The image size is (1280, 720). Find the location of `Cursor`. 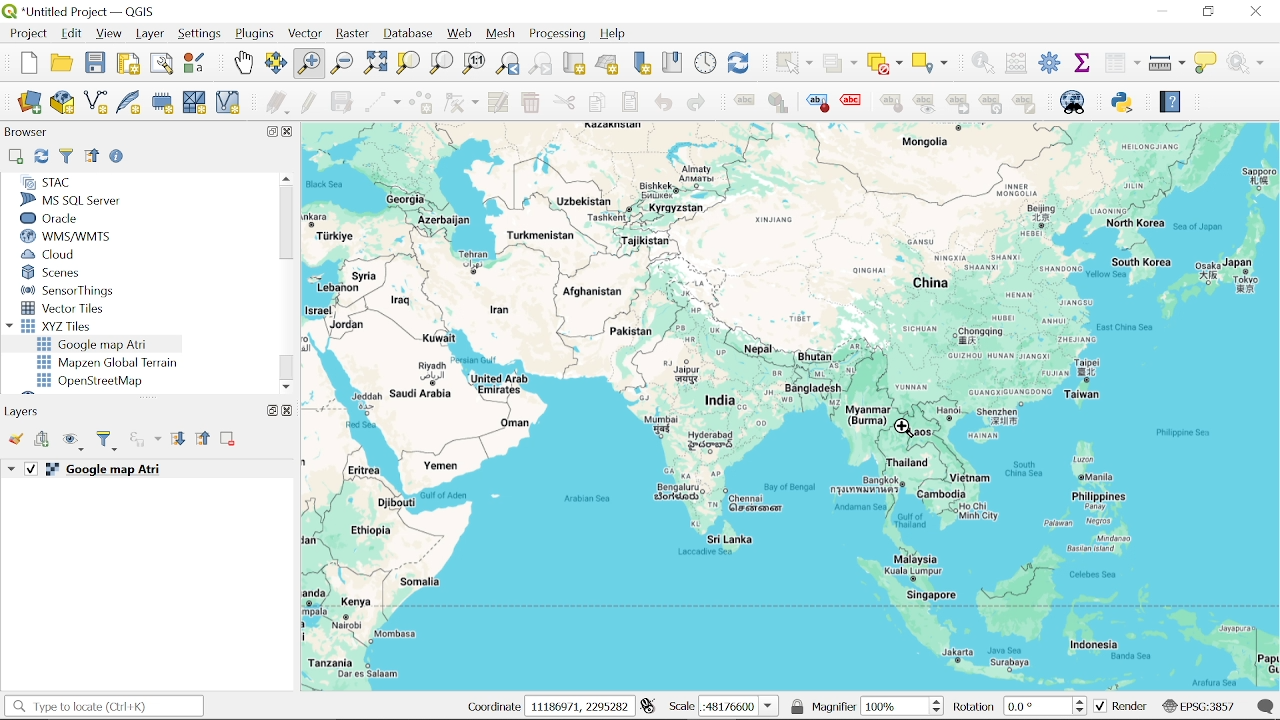

Cursor is located at coordinates (906, 431).